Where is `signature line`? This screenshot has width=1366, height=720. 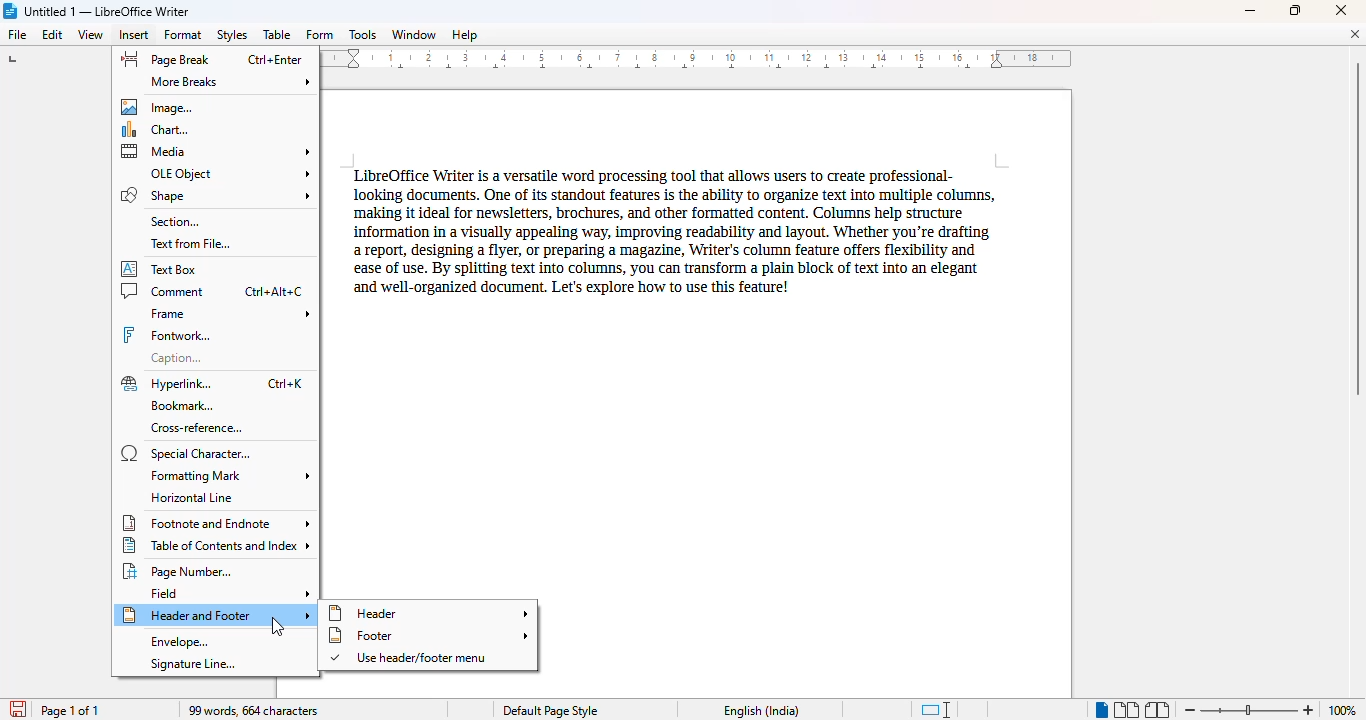 signature line is located at coordinates (192, 664).